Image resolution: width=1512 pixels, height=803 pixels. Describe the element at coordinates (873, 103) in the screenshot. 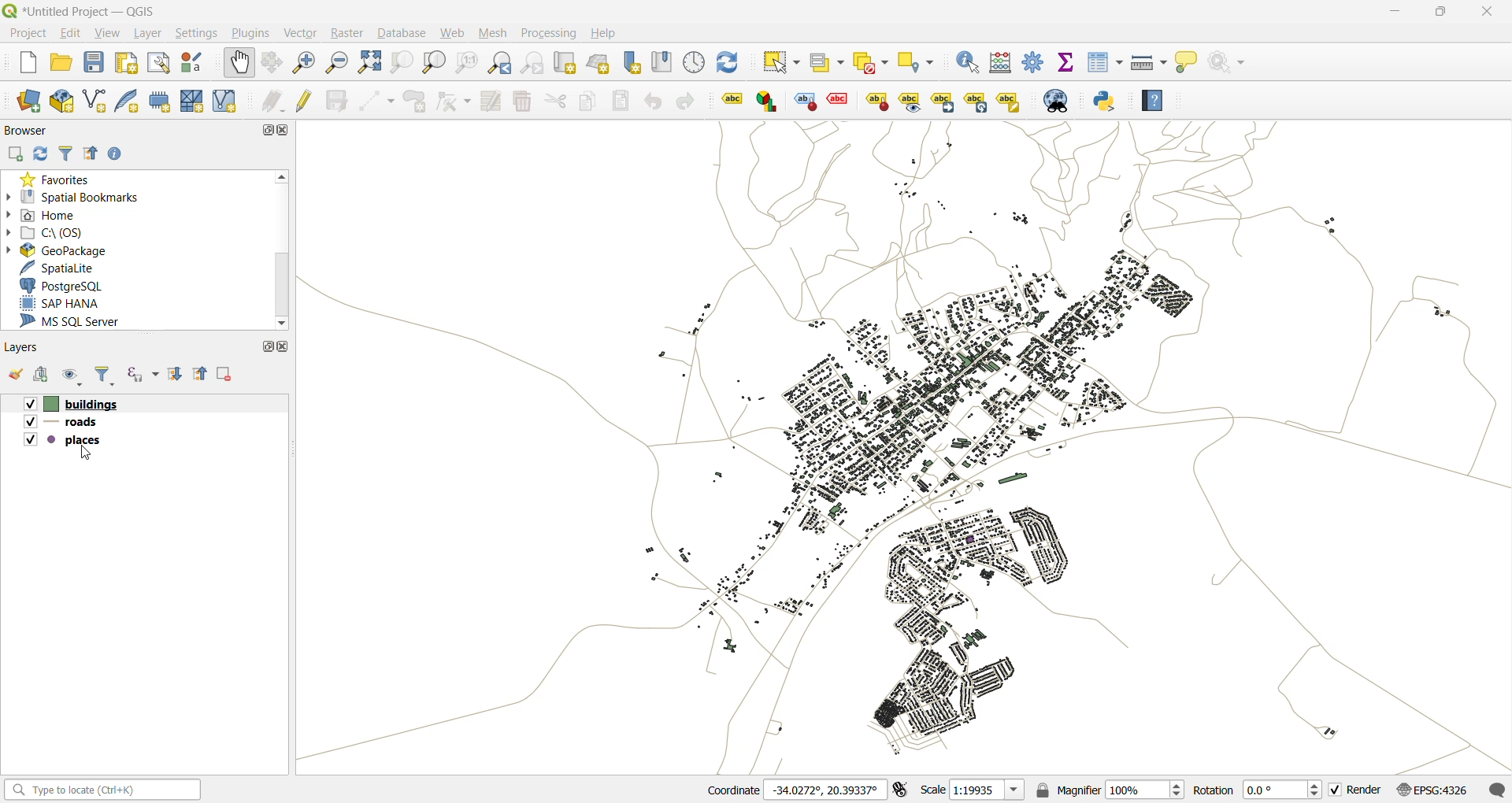

I see `label tools` at that location.